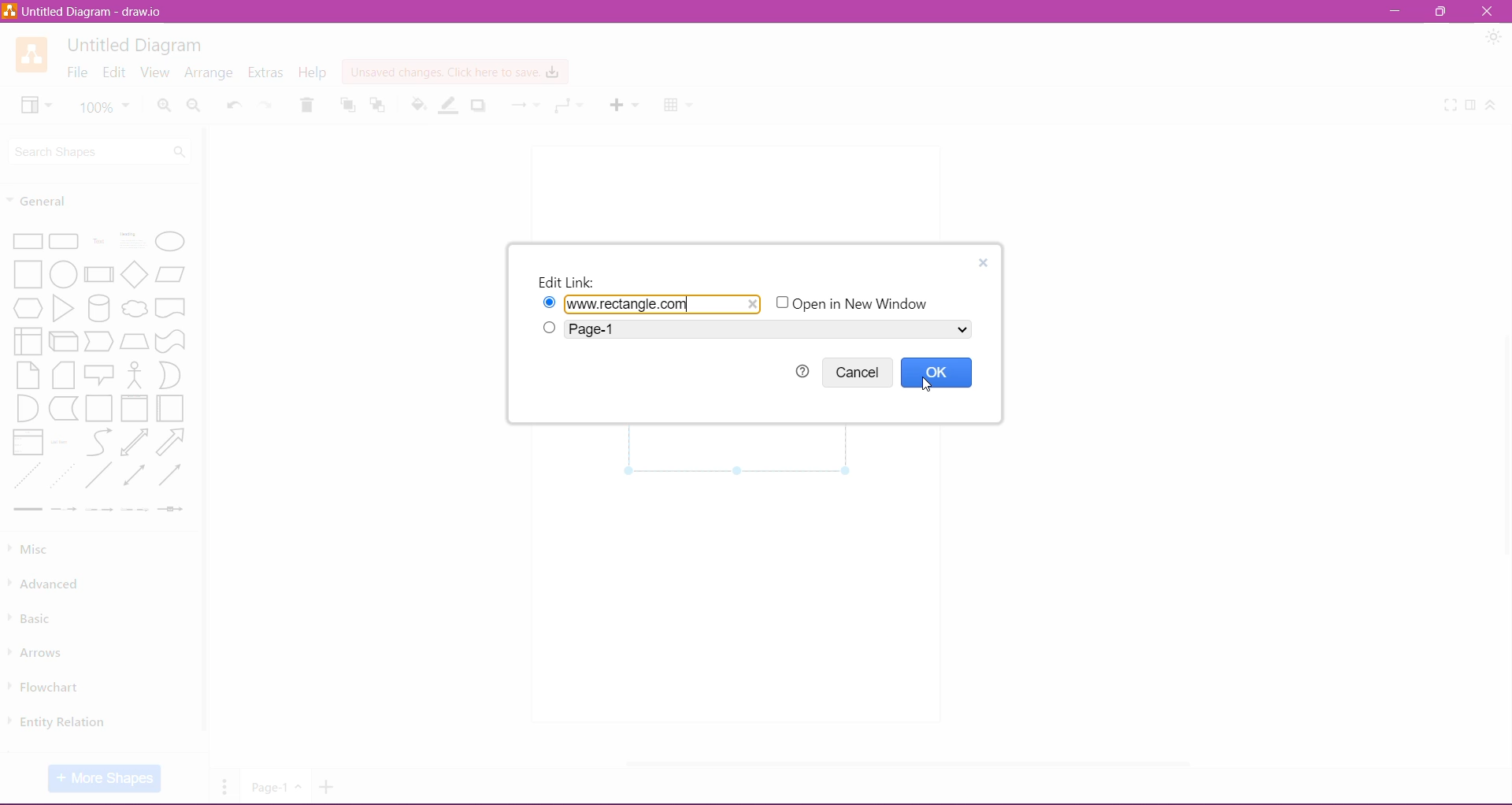  What do you see at coordinates (740, 451) in the screenshot?
I see `Canvas with selected shape` at bounding box center [740, 451].